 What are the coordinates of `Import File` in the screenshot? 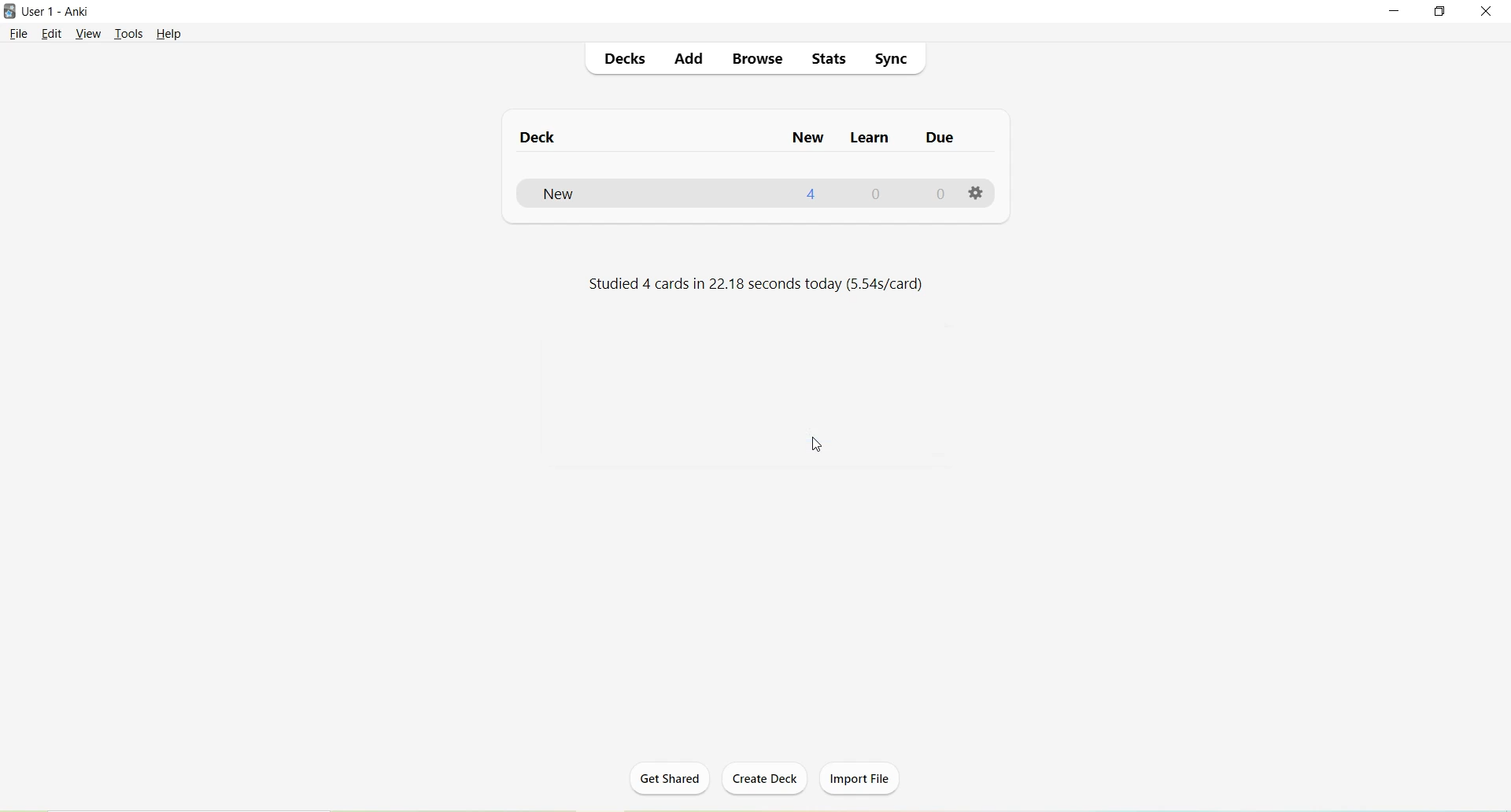 It's located at (861, 778).